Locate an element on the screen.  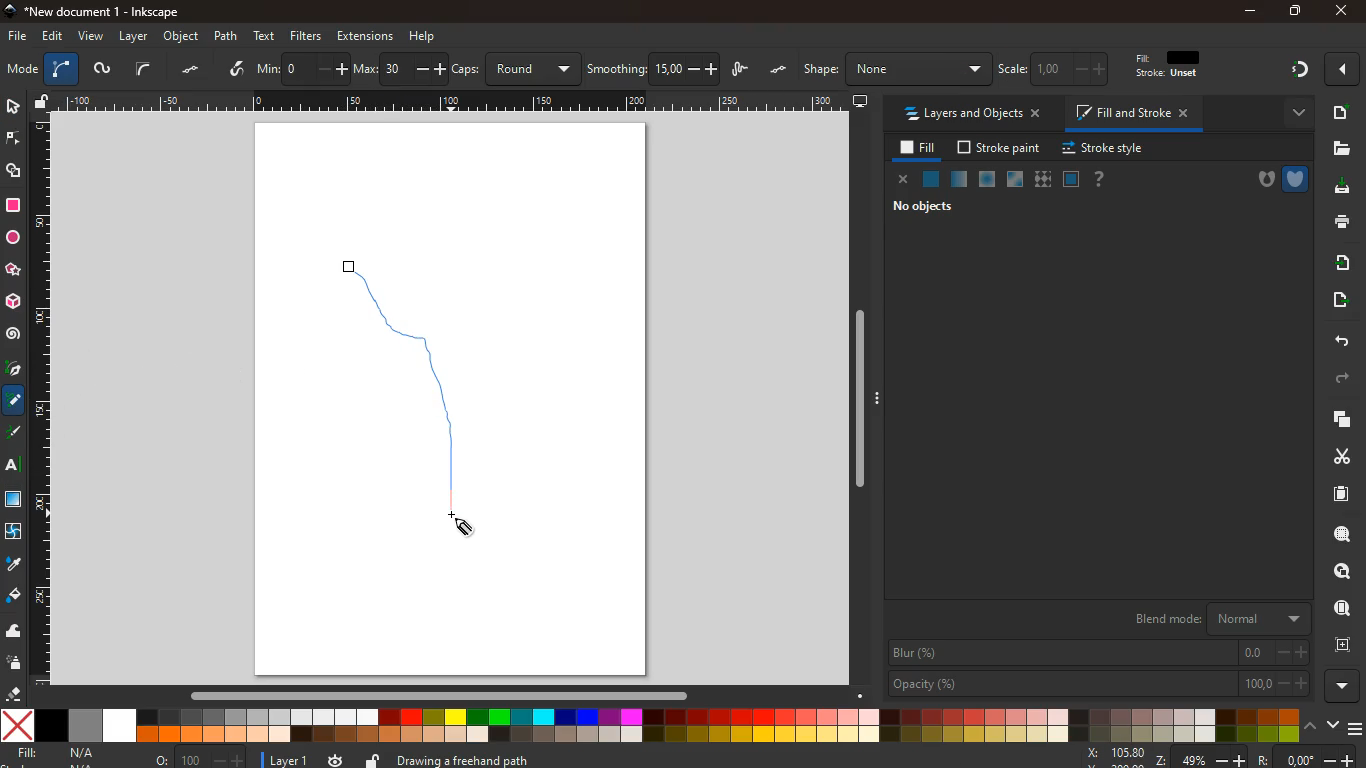
hole is located at coordinates (1262, 181).